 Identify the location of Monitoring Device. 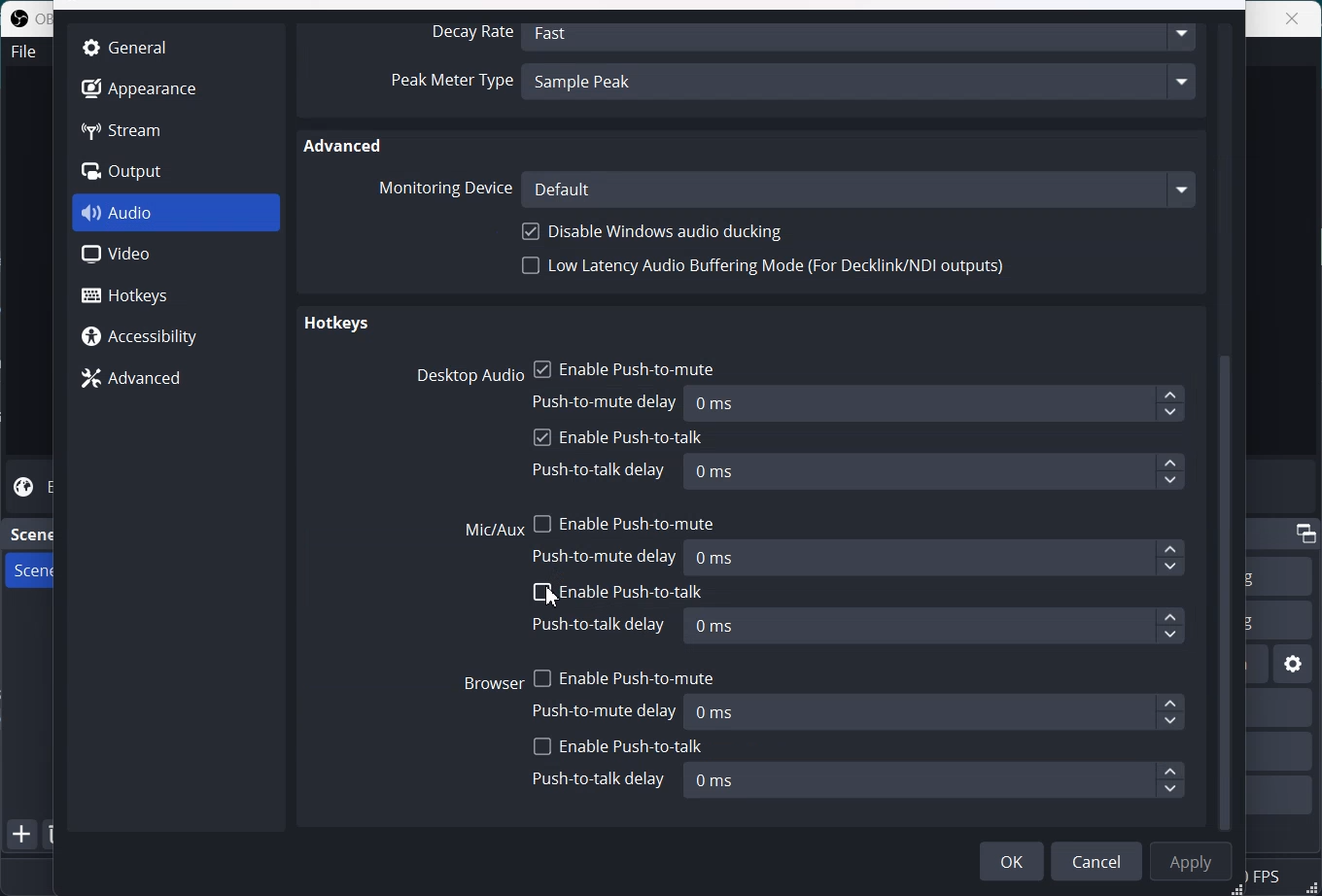
(443, 188).